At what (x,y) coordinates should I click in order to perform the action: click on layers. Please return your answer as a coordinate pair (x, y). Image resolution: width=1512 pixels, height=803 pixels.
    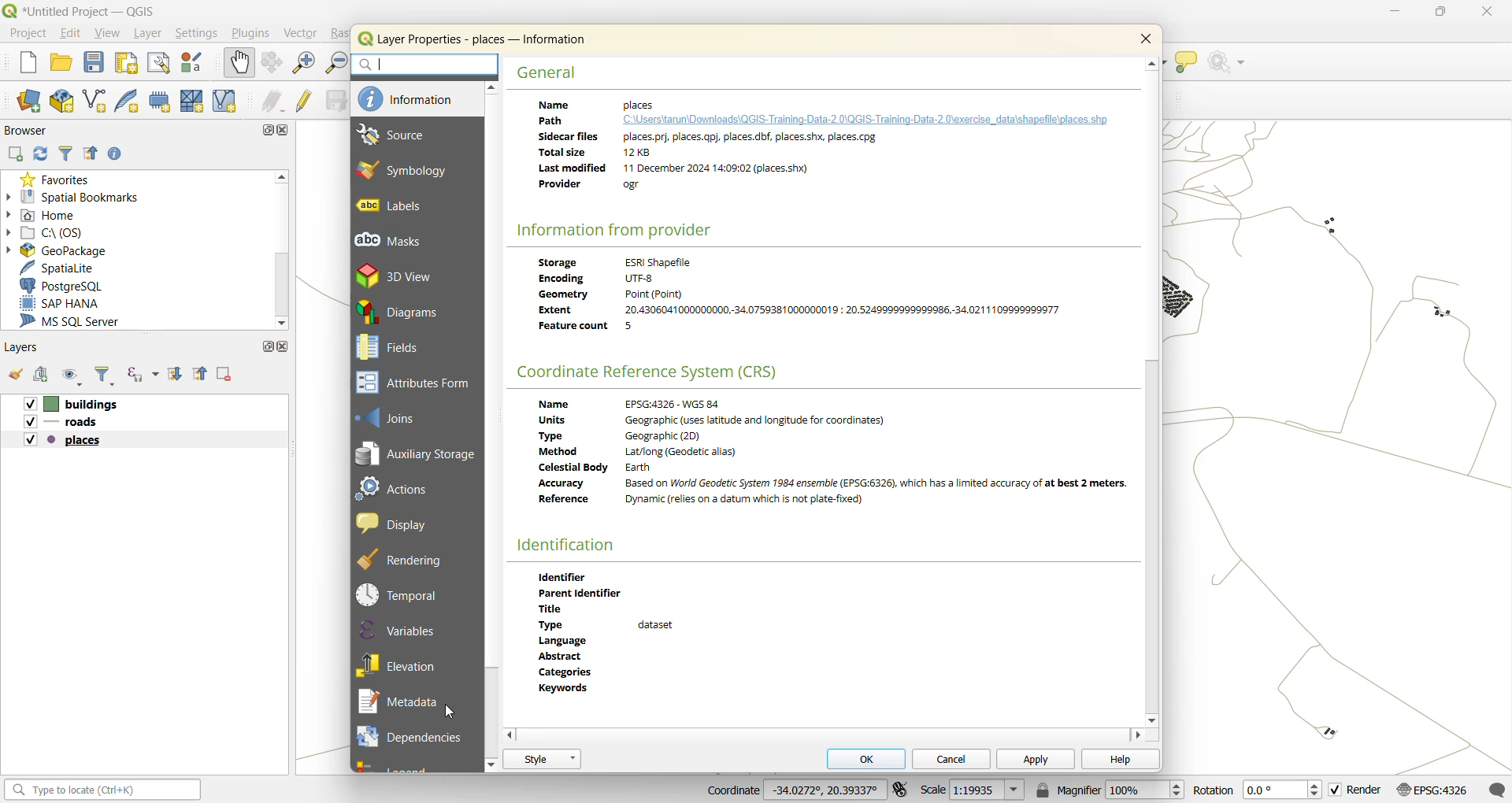
    Looking at the image, I should click on (64, 422).